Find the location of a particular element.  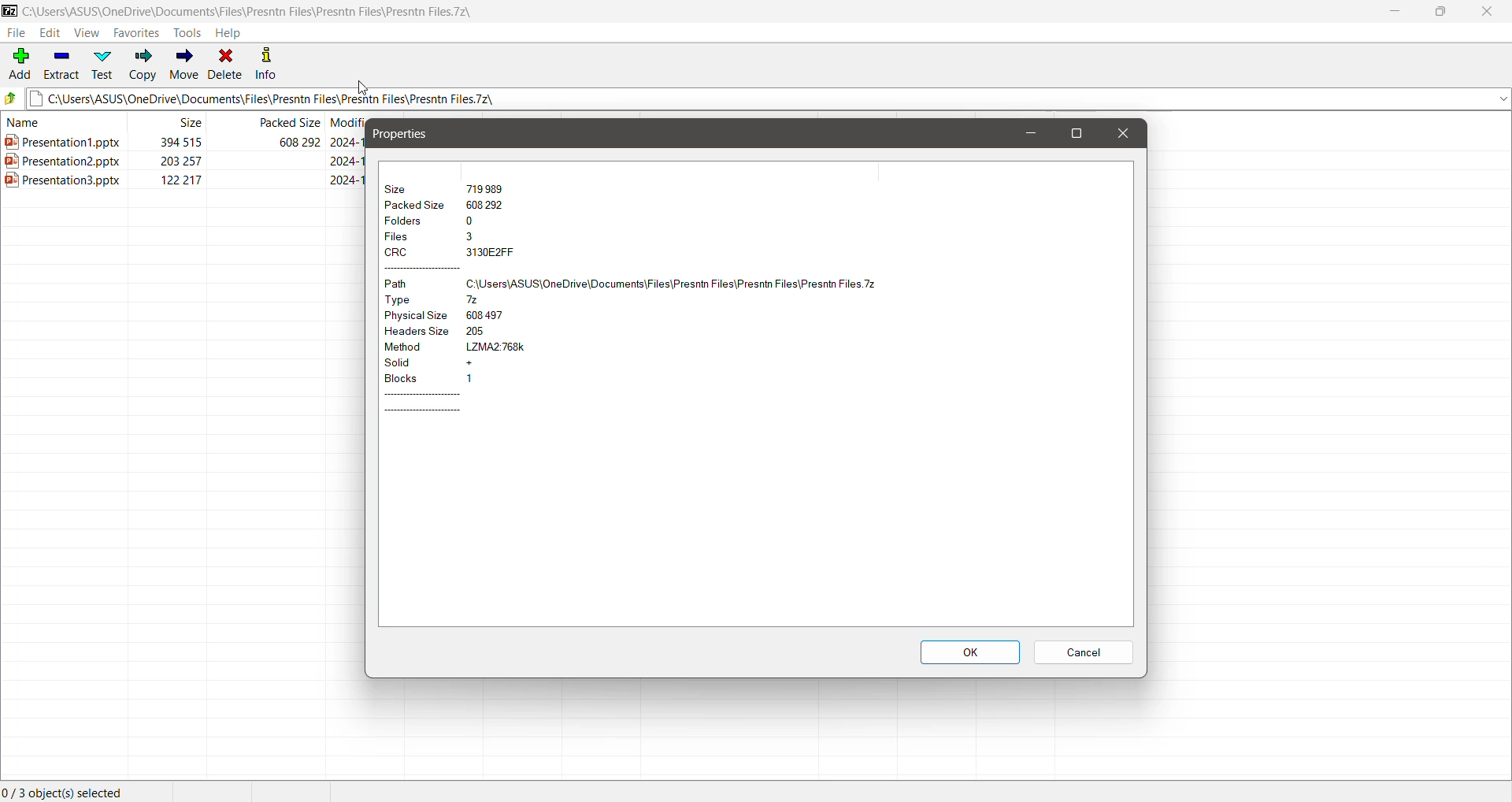

608.292 is located at coordinates (493, 205).